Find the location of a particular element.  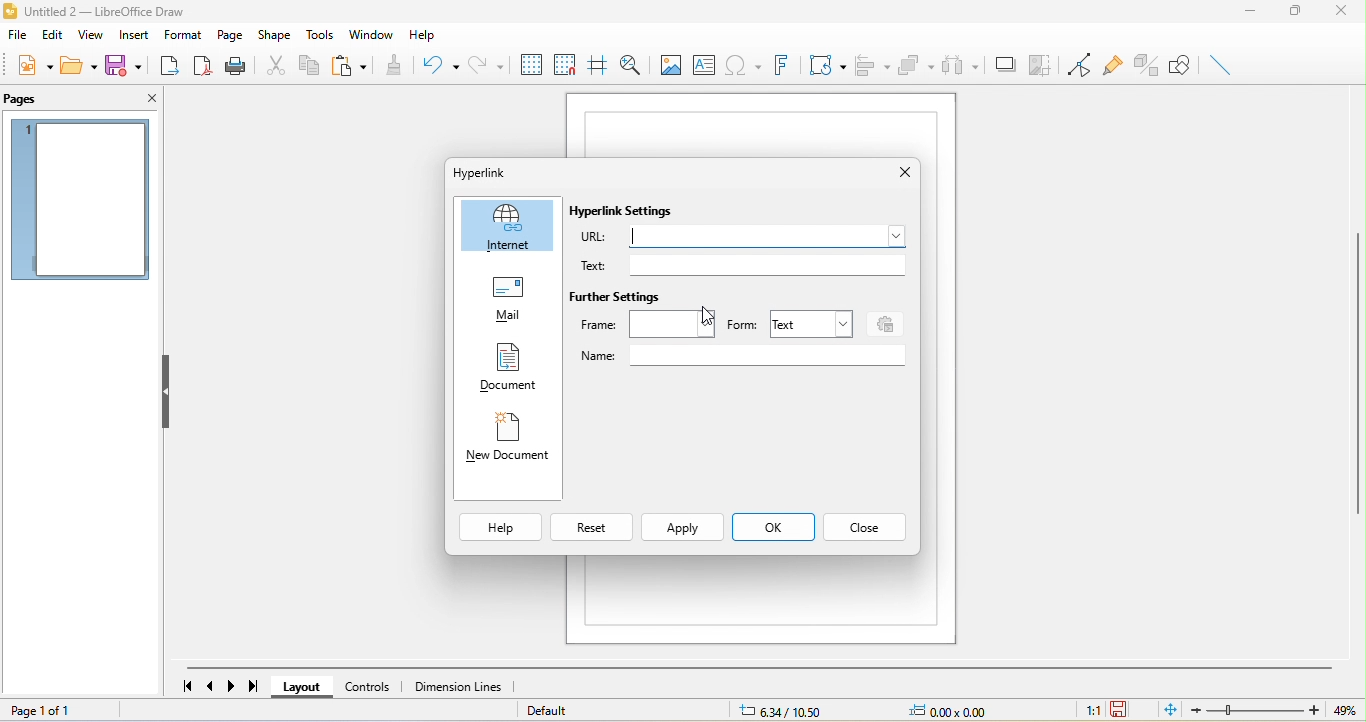

name is located at coordinates (742, 353).